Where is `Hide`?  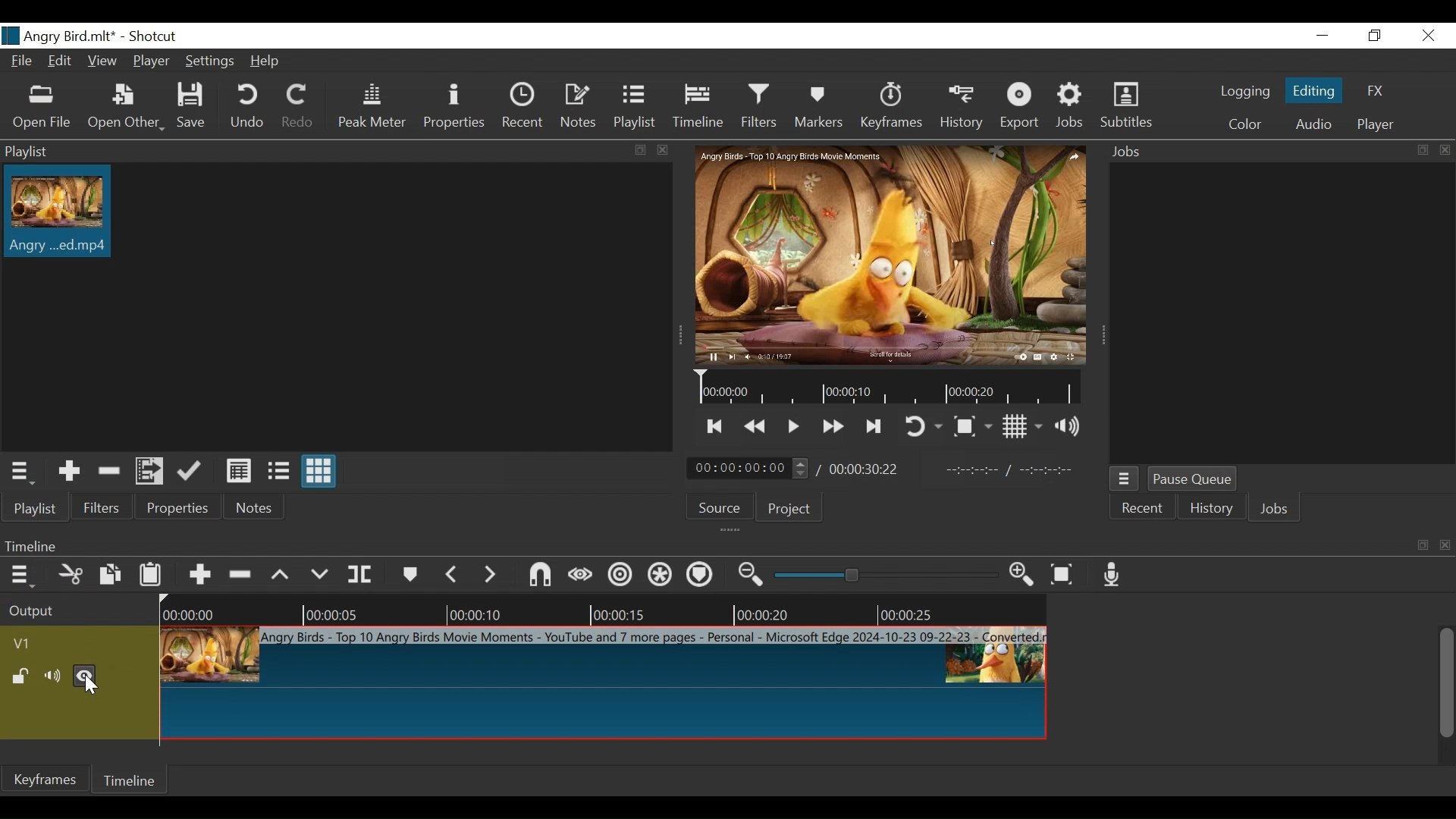
Hide is located at coordinates (84, 675).